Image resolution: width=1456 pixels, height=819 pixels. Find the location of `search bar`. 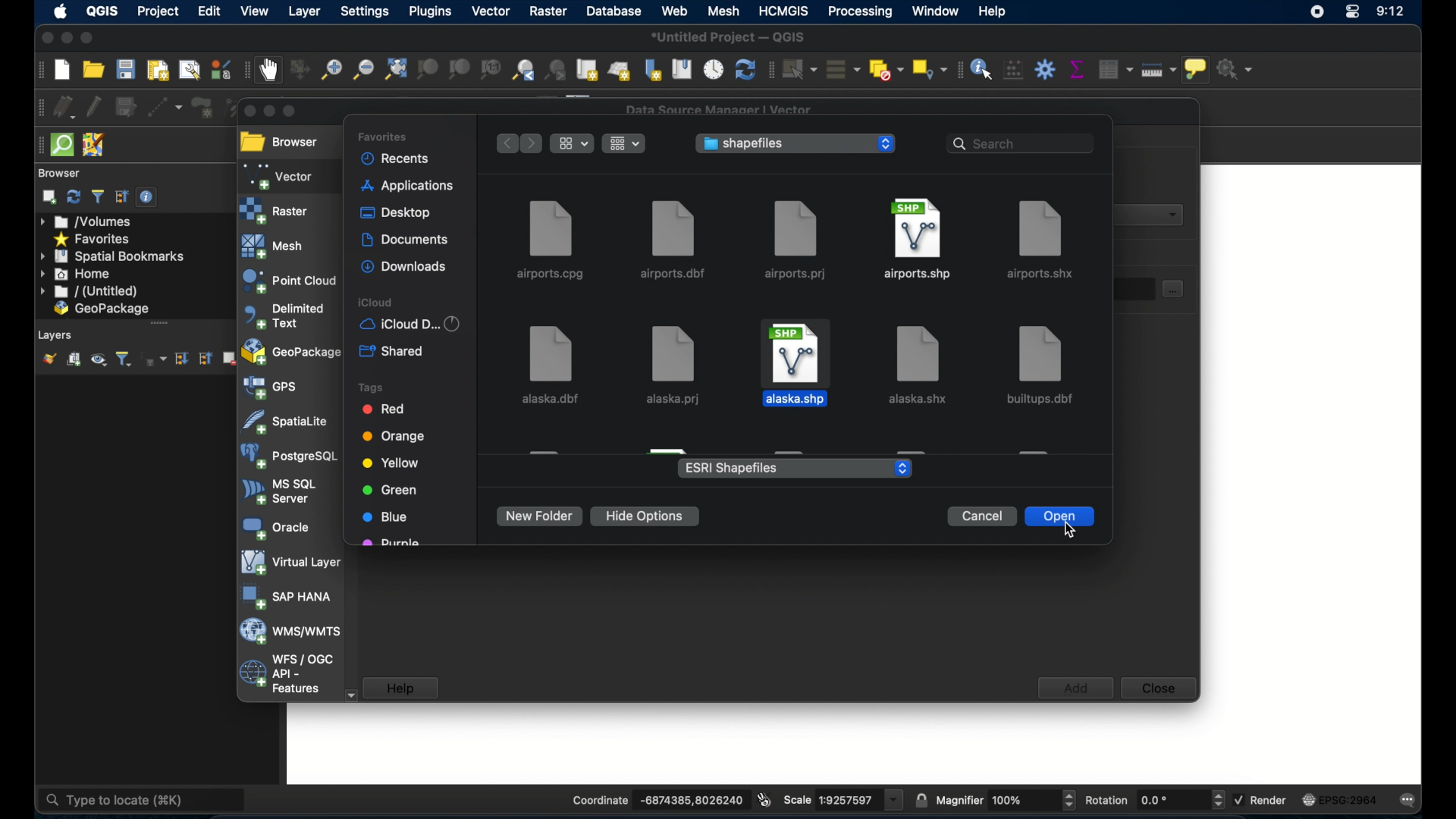

search bar is located at coordinates (1021, 143).